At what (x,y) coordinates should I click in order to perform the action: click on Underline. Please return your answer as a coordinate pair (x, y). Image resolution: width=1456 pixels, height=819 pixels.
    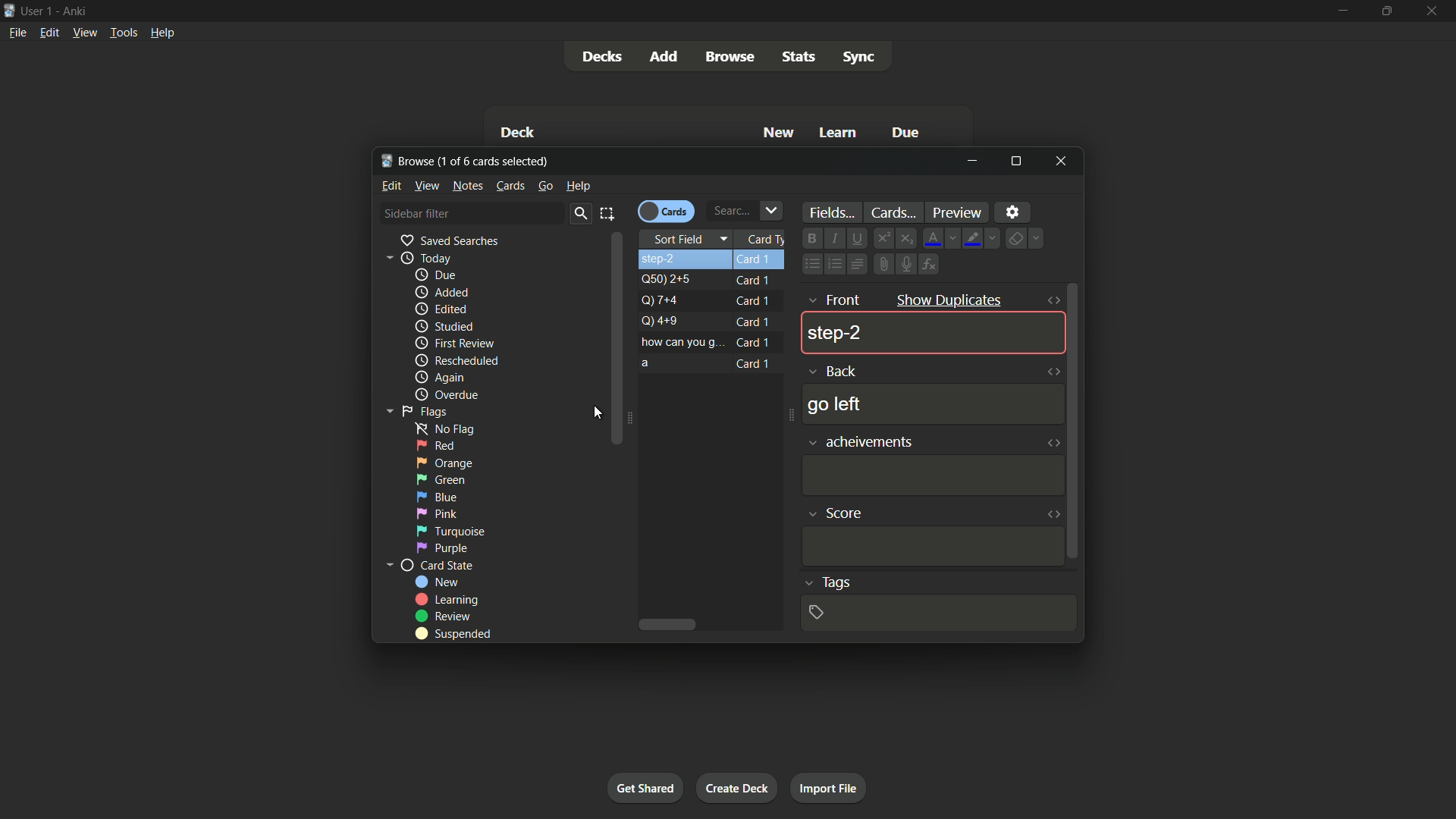
    Looking at the image, I should click on (856, 237).